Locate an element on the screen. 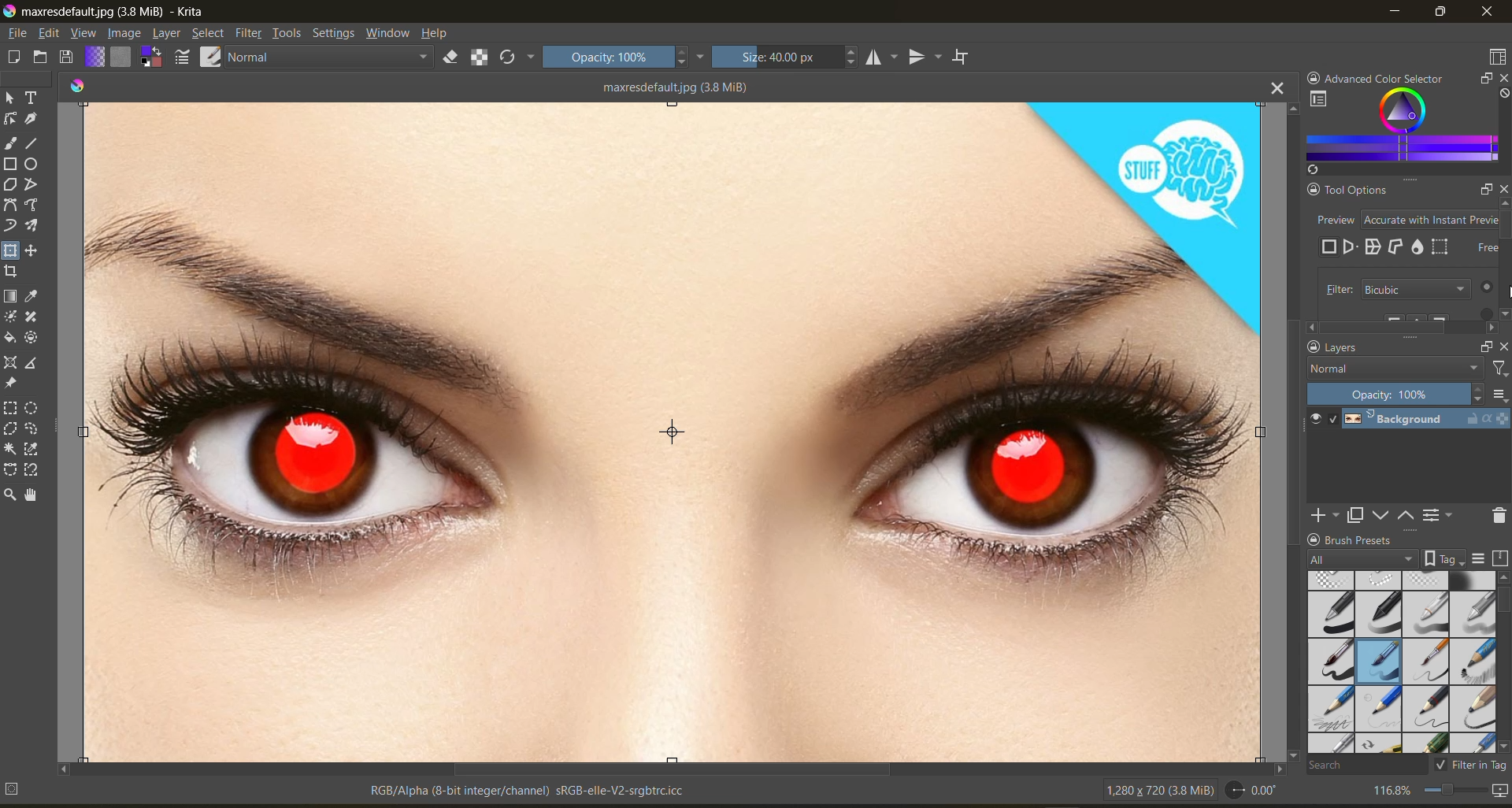 The width and height of the screenshot is (1512, 808). free is located at coordinates (1331, 247).